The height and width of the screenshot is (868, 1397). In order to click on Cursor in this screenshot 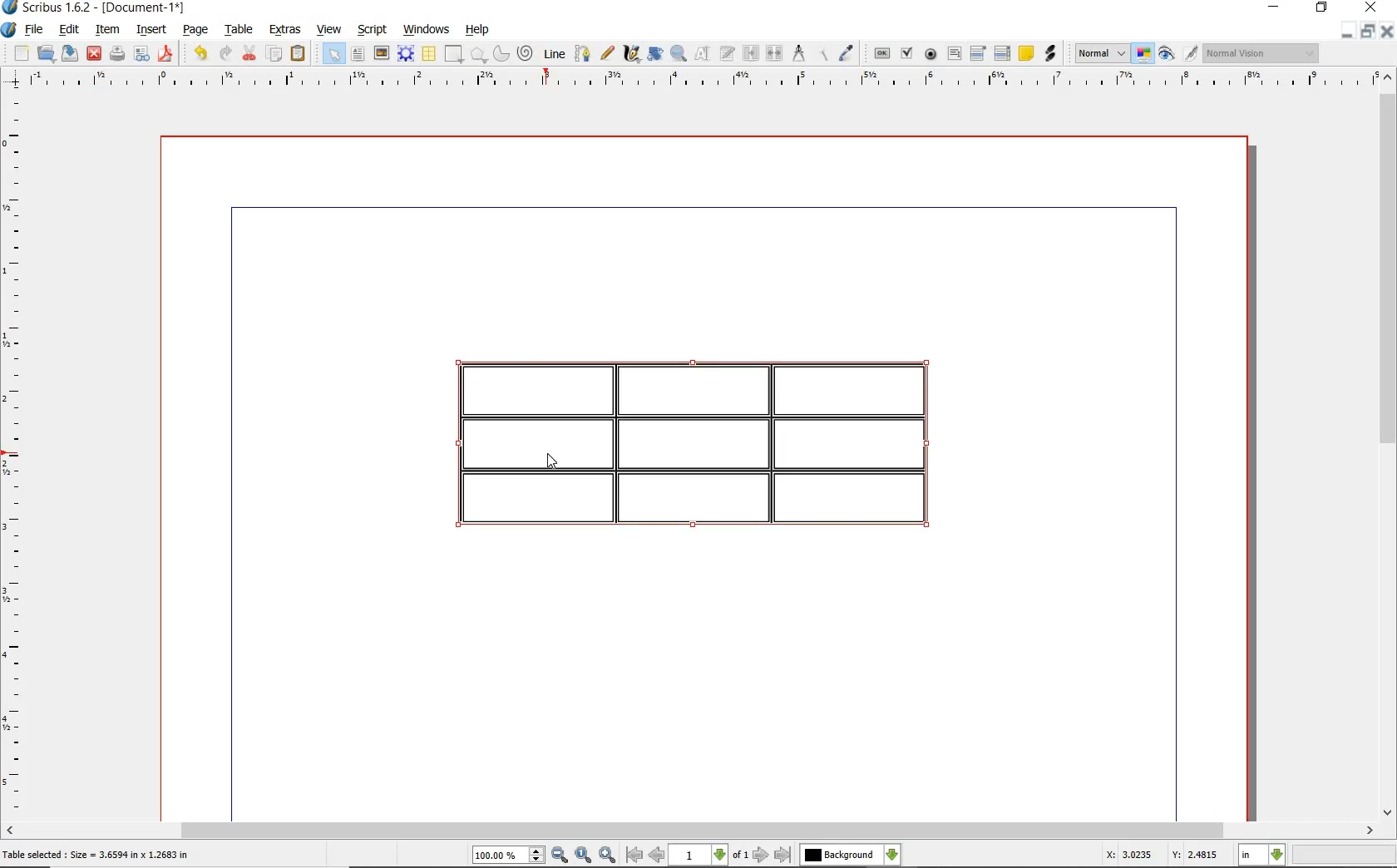, I will do `click(552, 460)`.